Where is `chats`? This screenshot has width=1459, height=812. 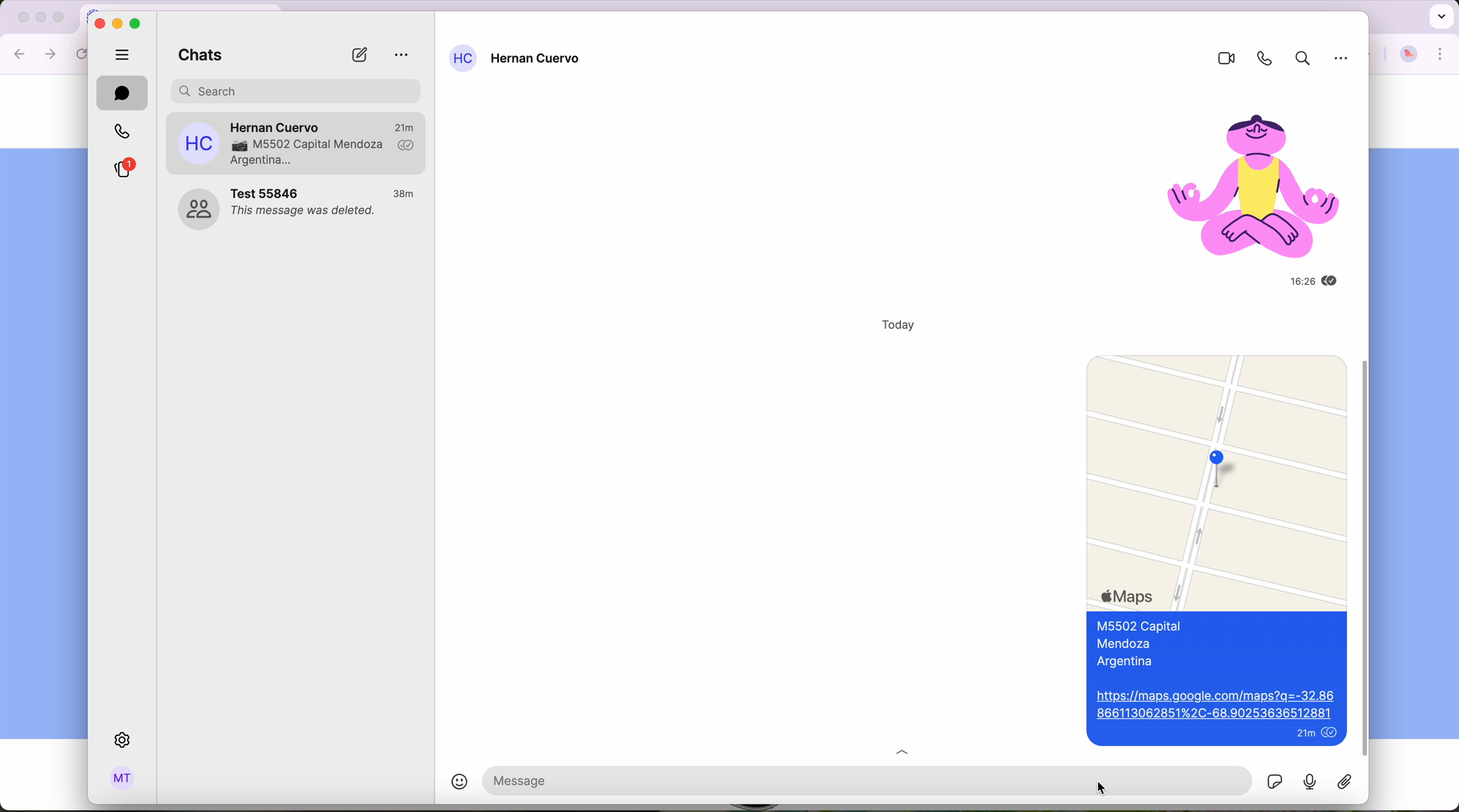
chats is located at coordinates (122, 93).